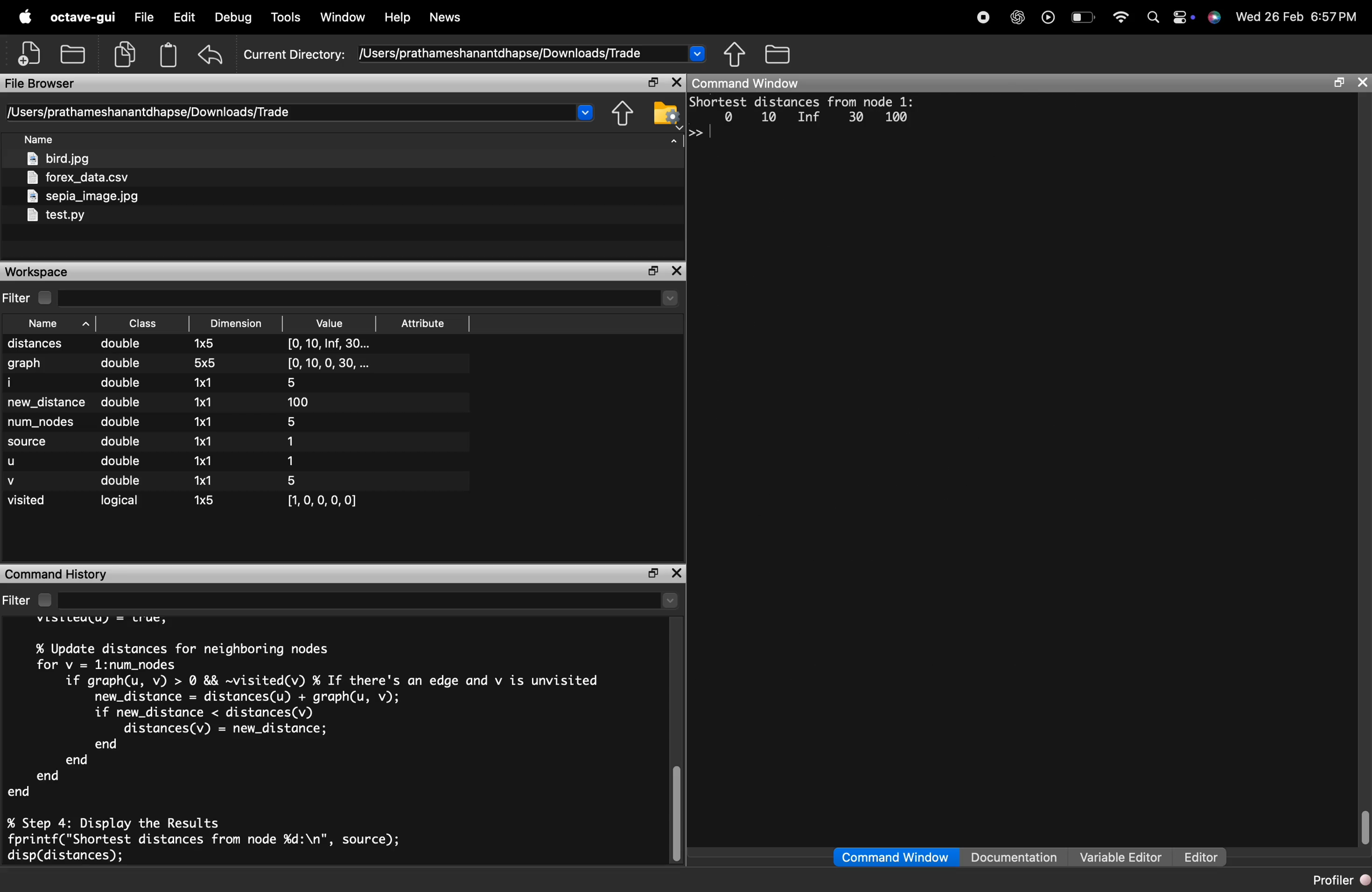 This screenshot has width=1372, height=892. Describe the element at coordinates (234, 18) in the screenshot. I see `debug` at that location.